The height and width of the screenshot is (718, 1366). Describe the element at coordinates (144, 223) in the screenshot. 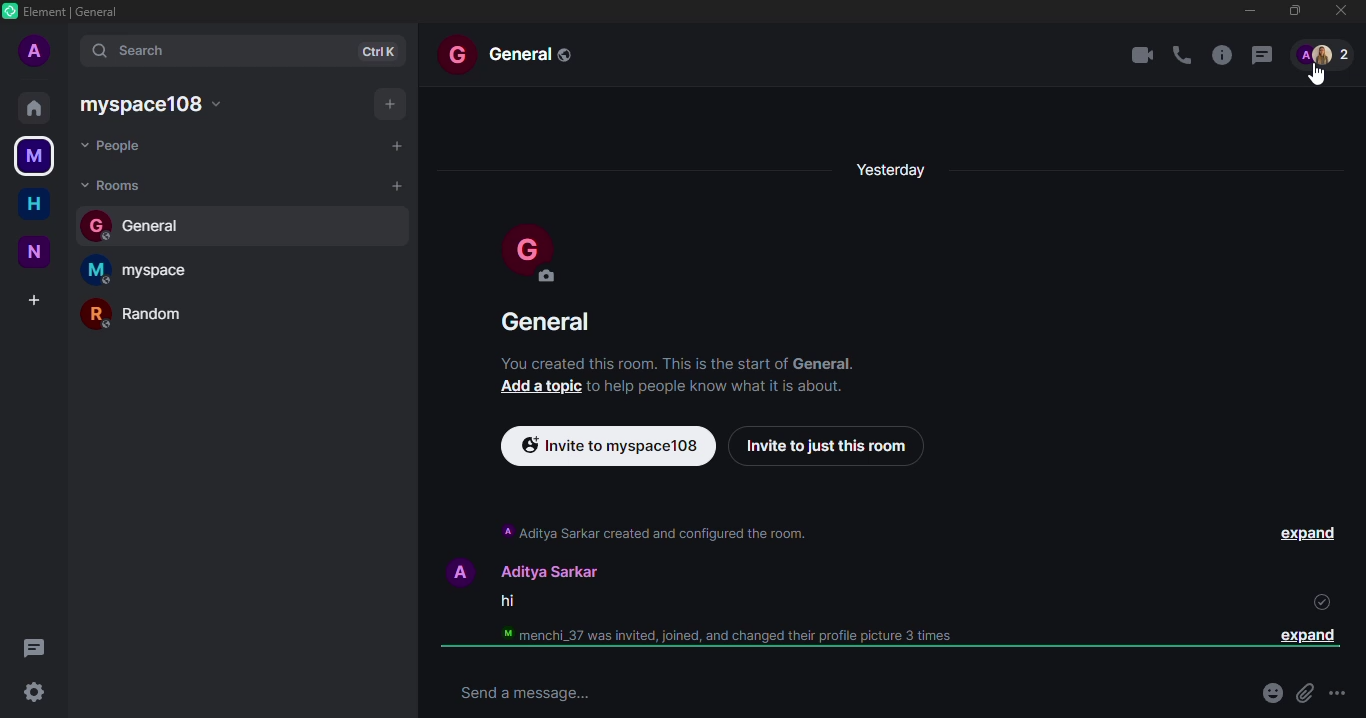

I see `general` at that location.